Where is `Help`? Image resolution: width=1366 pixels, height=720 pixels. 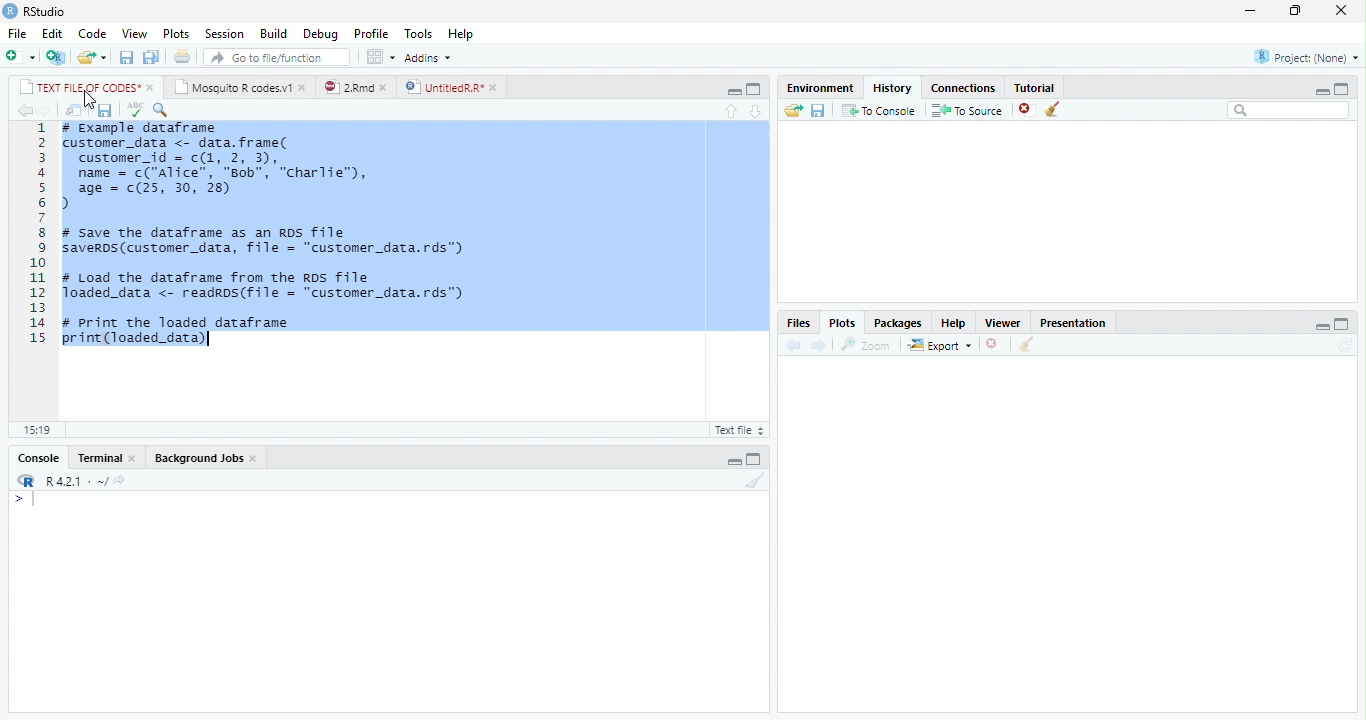
Help is located at coordinates (953, 324).